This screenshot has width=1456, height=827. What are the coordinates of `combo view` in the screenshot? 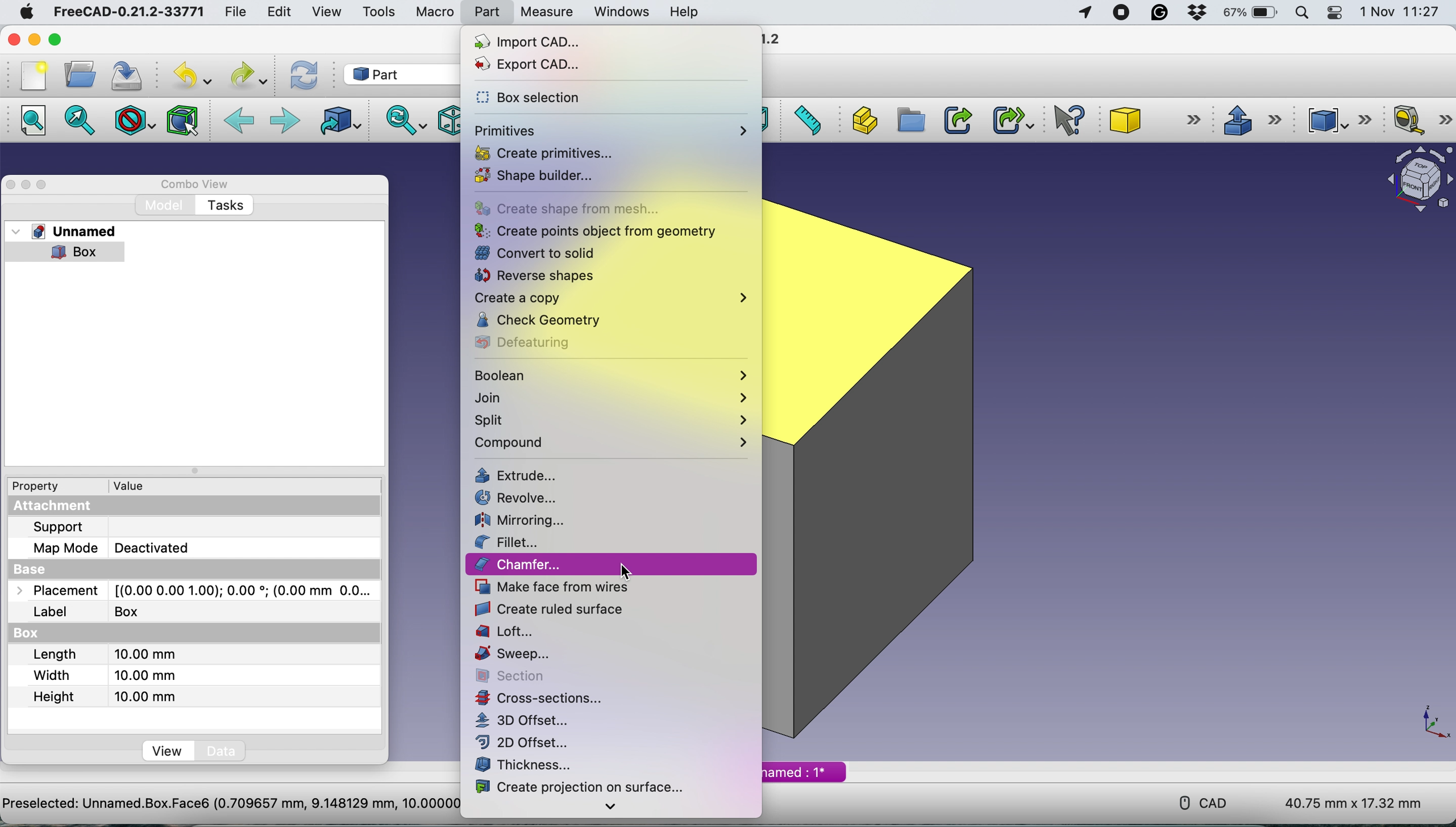 It's located at (195, 185).